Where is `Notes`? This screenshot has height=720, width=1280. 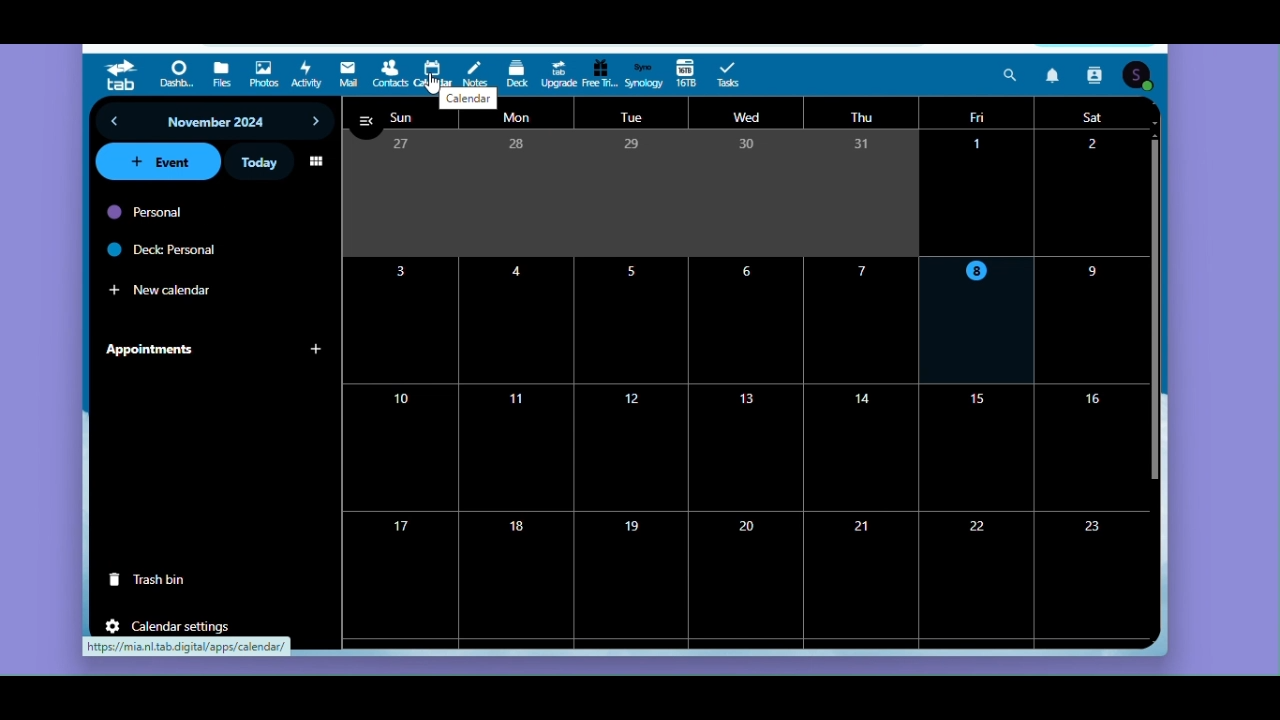 Notes is located at coordinates (476, 71).